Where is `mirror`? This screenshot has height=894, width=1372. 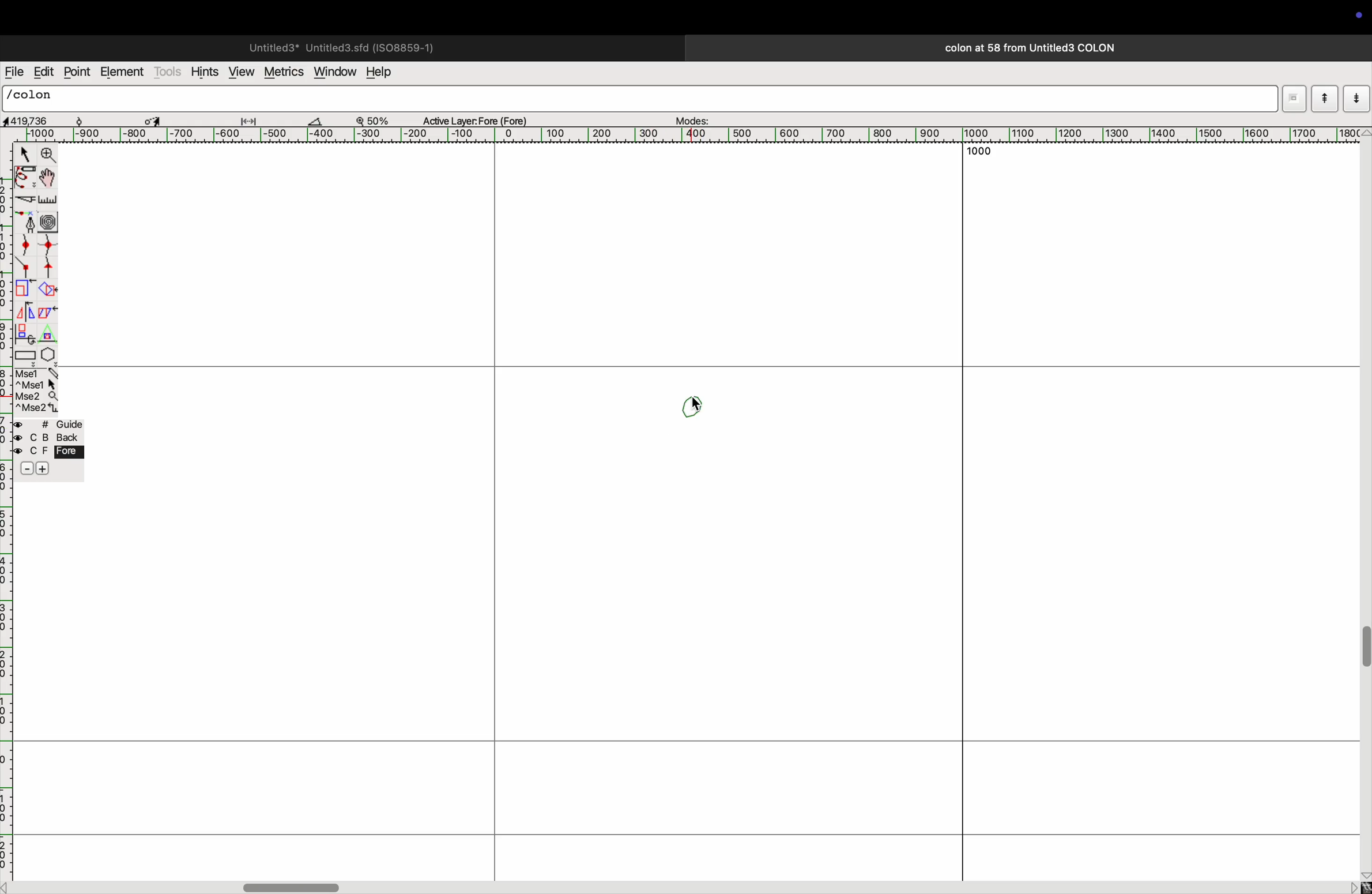
mirror is located at coordinates (28, 311).